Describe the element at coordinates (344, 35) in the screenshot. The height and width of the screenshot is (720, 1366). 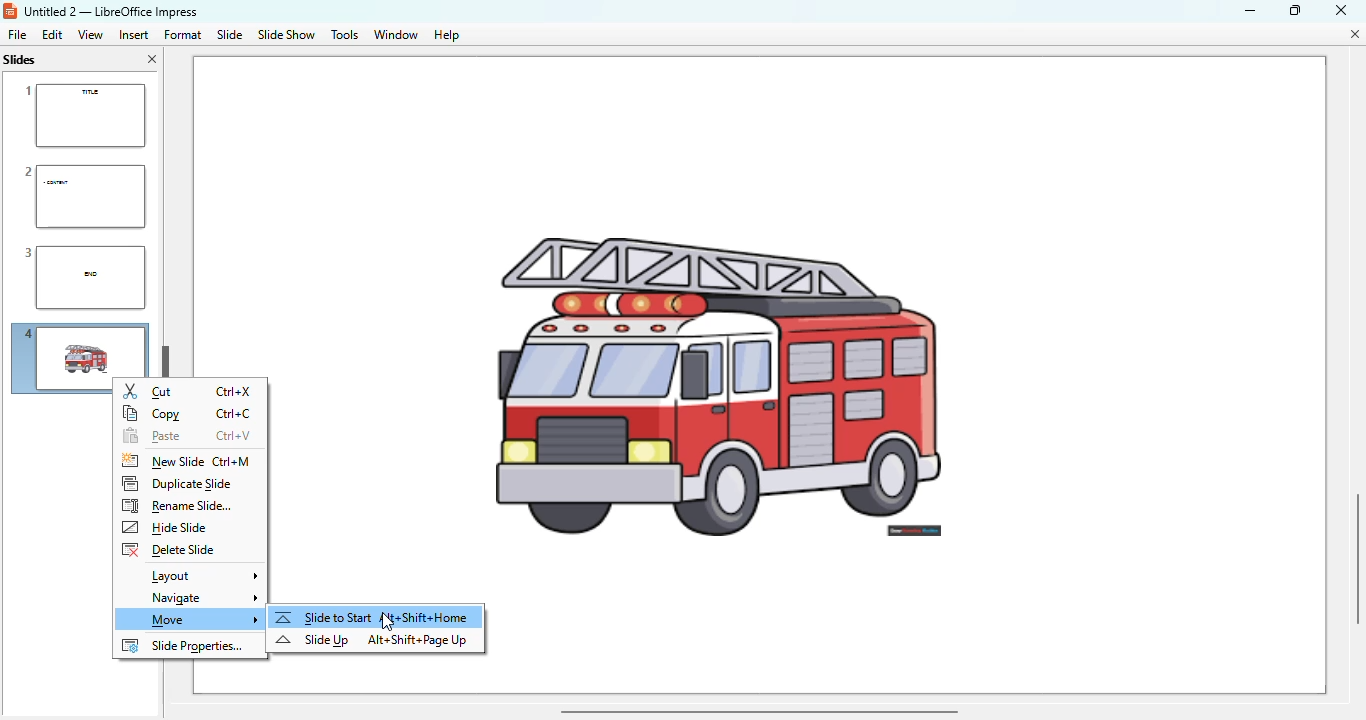
I see `tools` at that location.